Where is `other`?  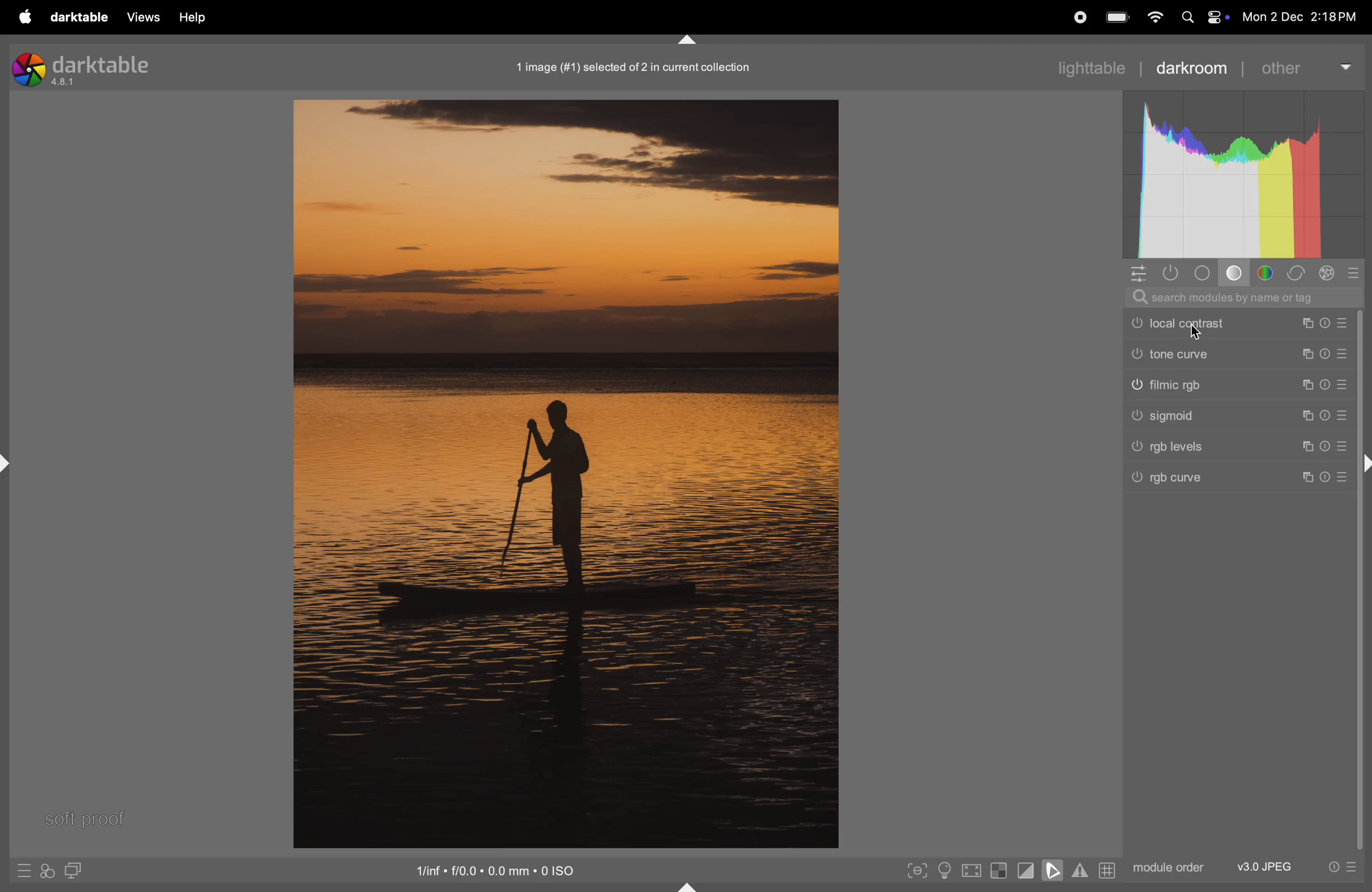 other is located at coordinates (1309, 67).